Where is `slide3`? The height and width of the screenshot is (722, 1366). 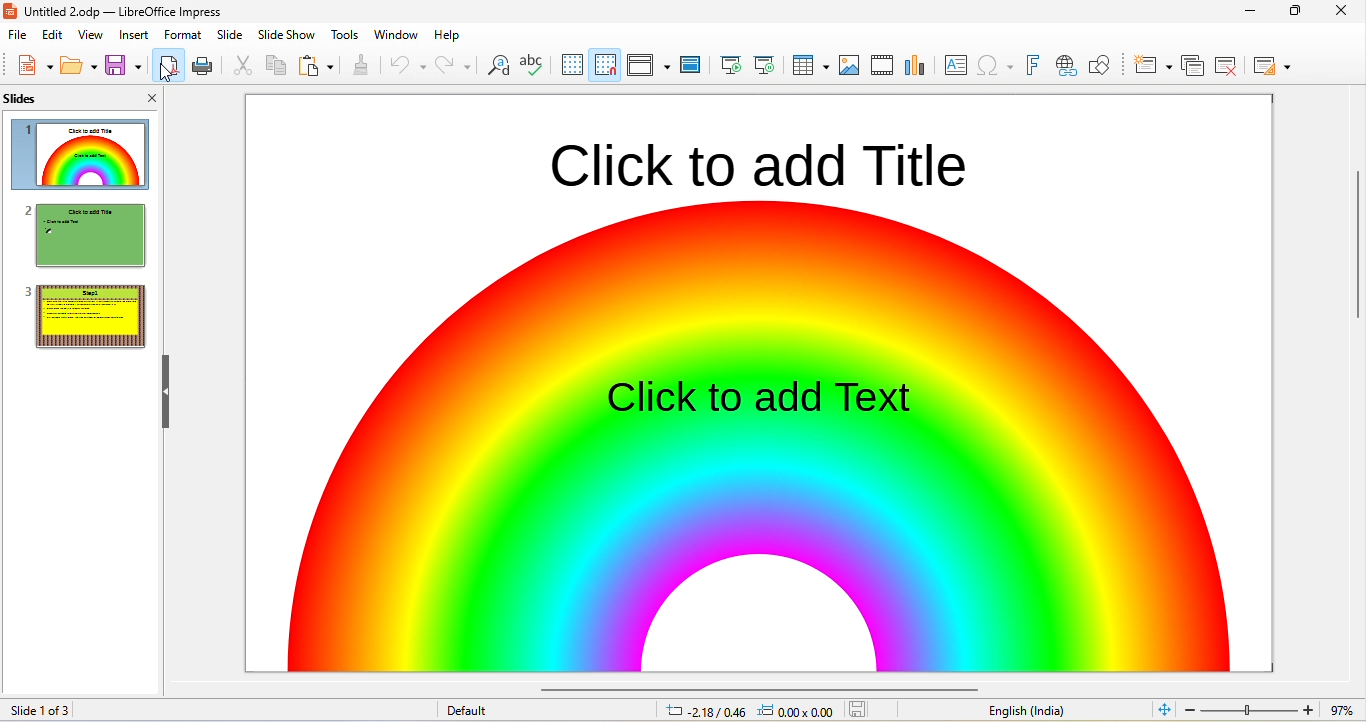
slide3 is located at coordinates (82, 316).